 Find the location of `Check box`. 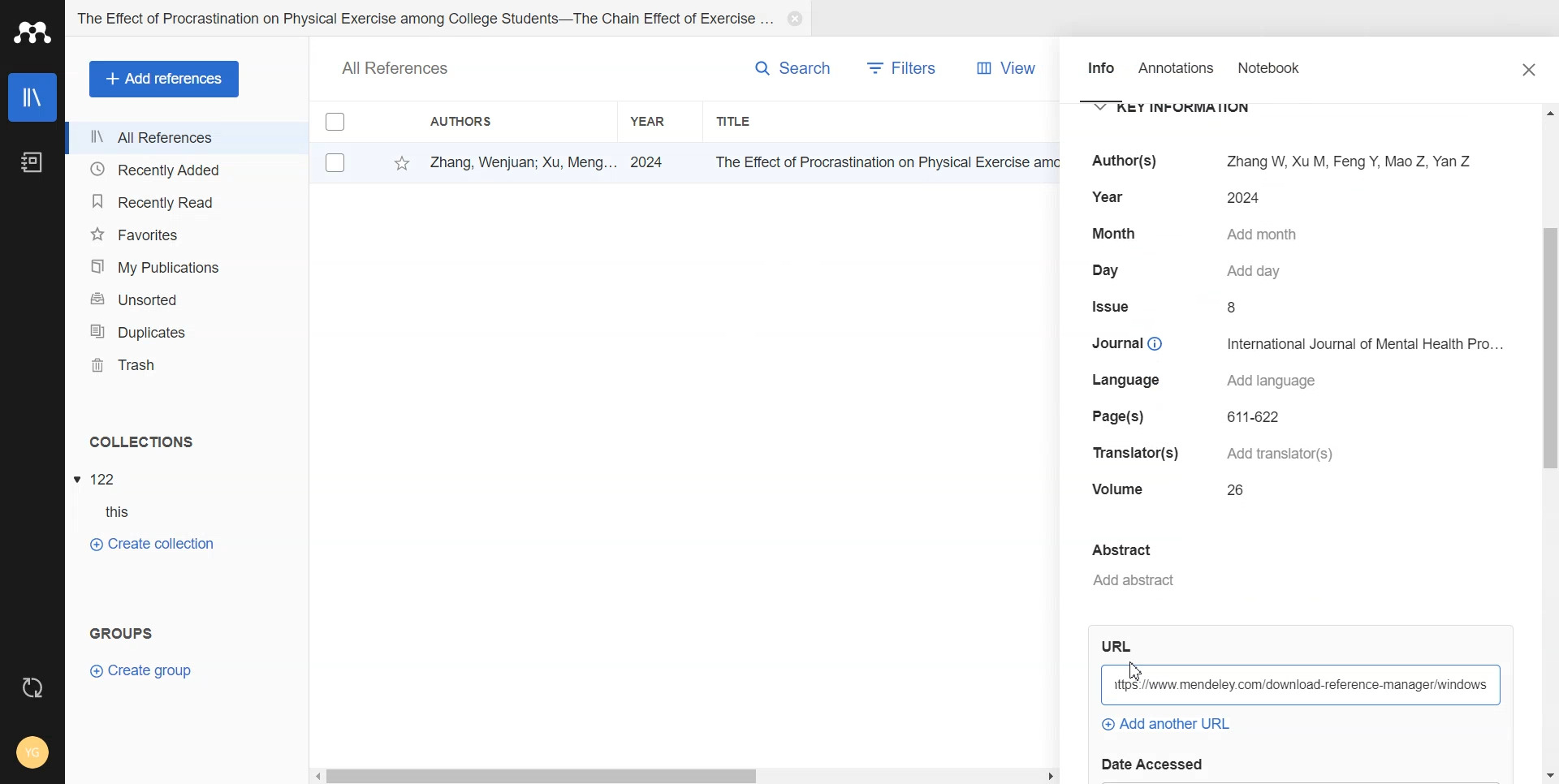

Check box is located at coordinates (335, 124).